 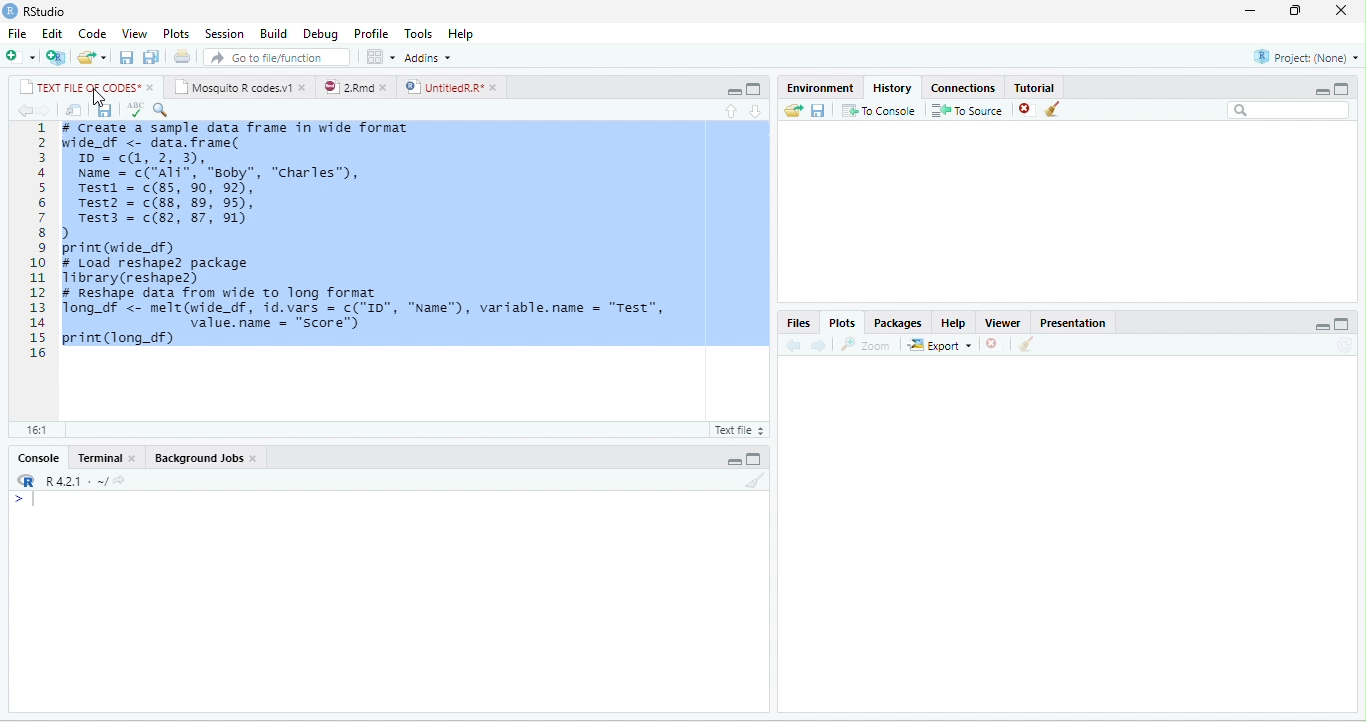 I want to click on # Load reshape2 package Library(reshape2), so click(x=170, y=271).